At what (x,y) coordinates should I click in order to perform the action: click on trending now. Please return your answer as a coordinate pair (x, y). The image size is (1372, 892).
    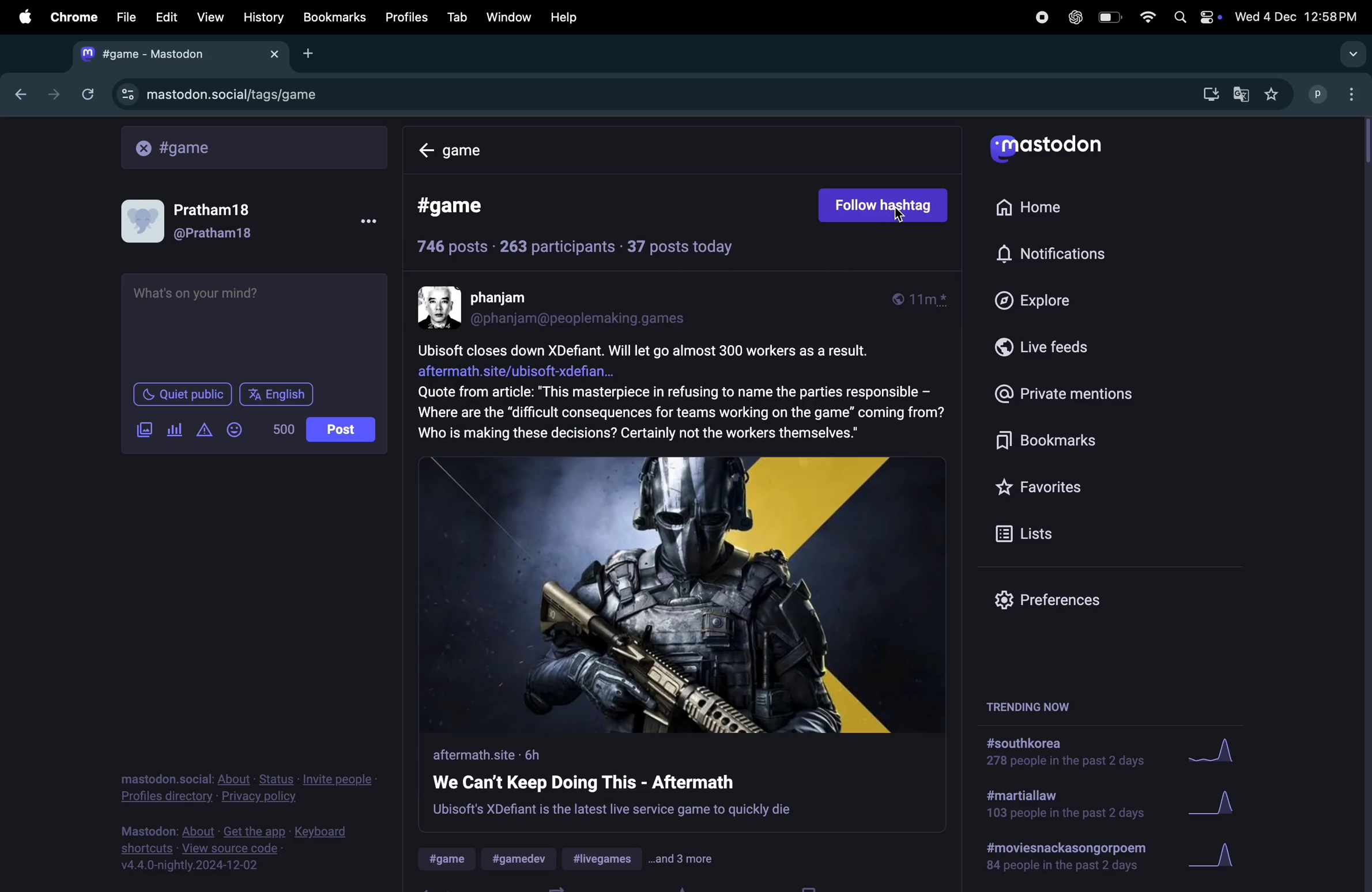
    Looking at the image, I should click on (1026, 705).